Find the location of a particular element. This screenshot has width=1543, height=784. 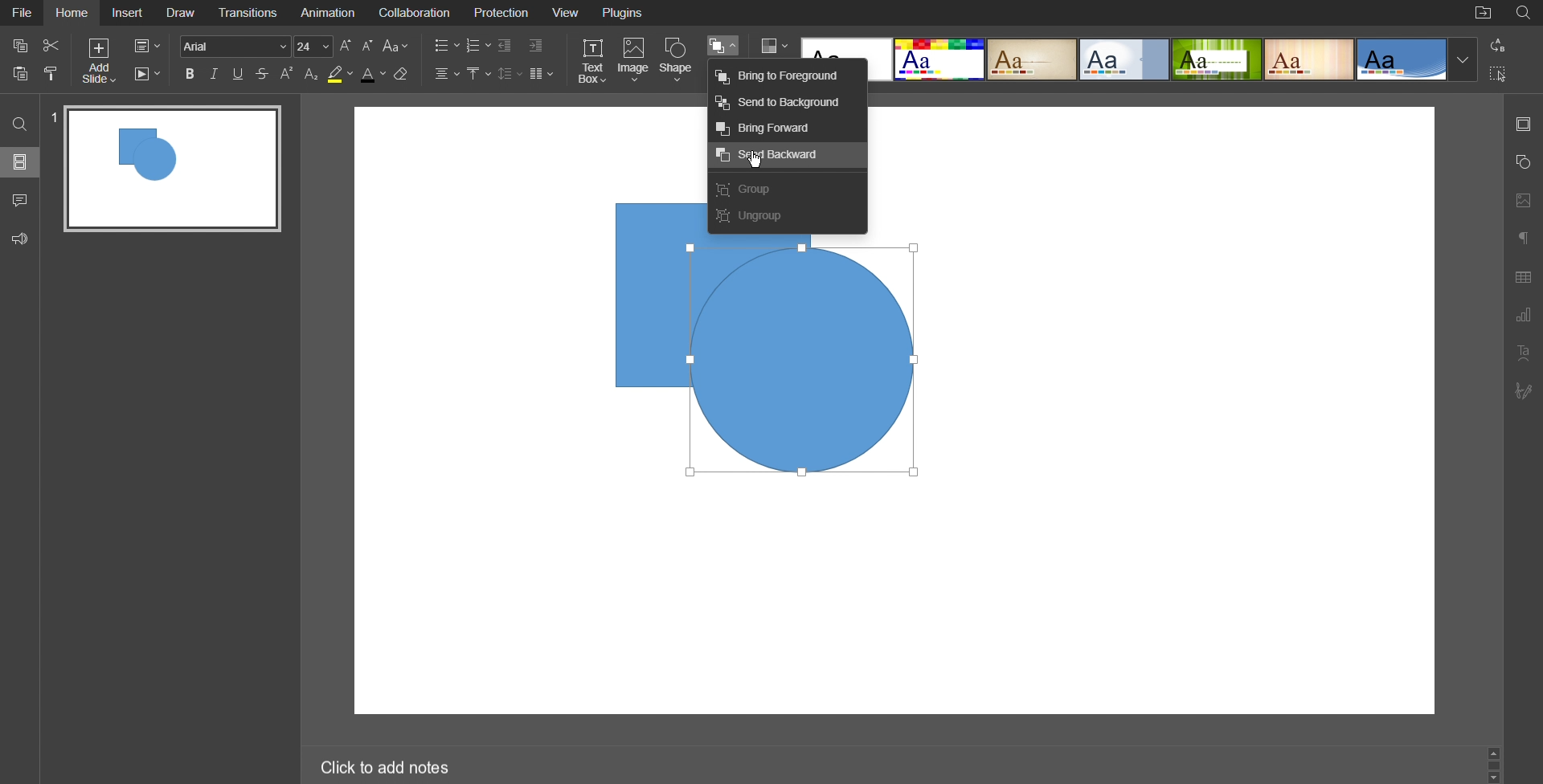

Line Spacing is located at coordinates (507, 72).